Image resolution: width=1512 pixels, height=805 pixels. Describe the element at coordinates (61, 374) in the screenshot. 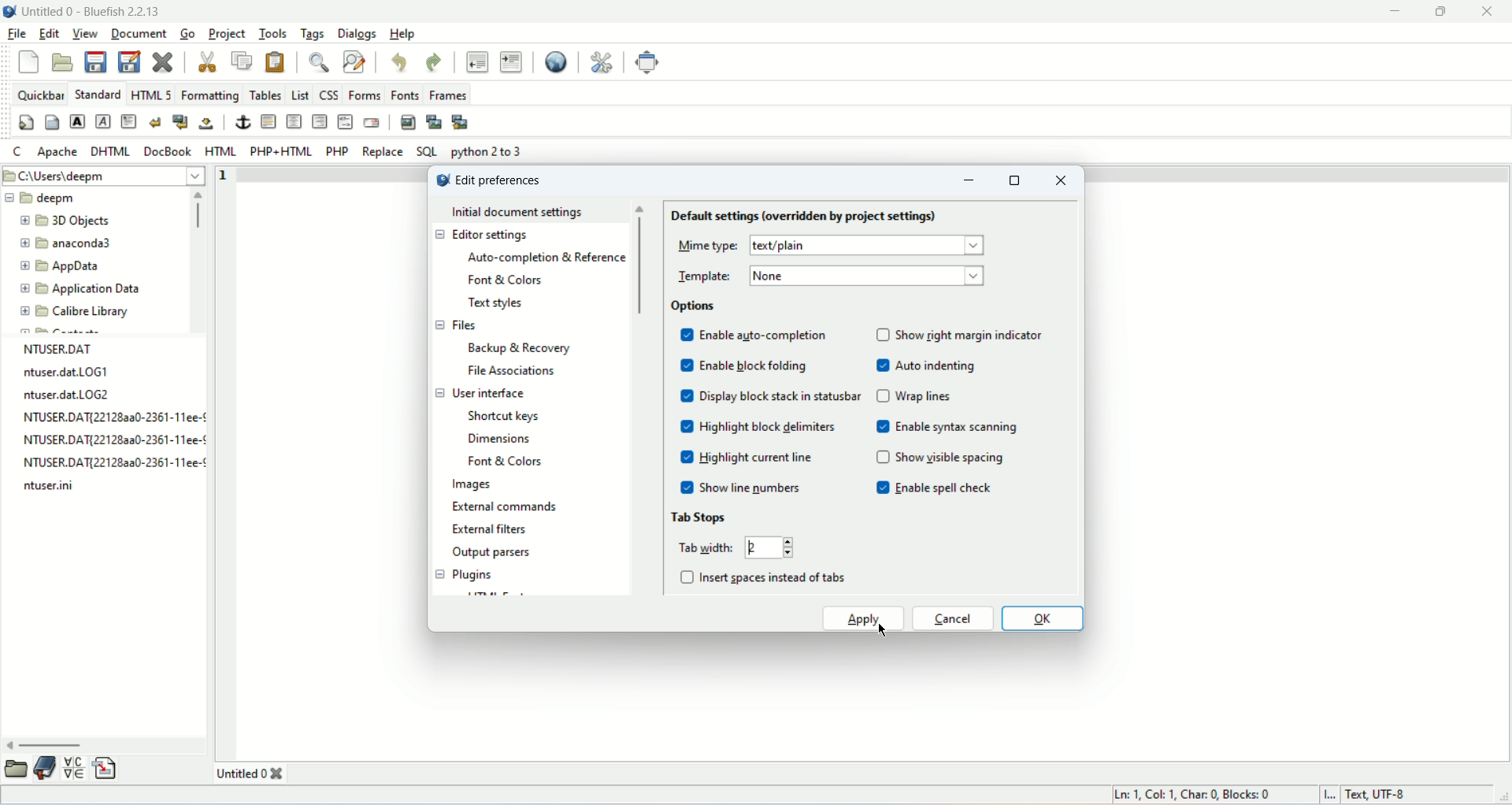

I see `ntuser.dat.LOG1` at that location.